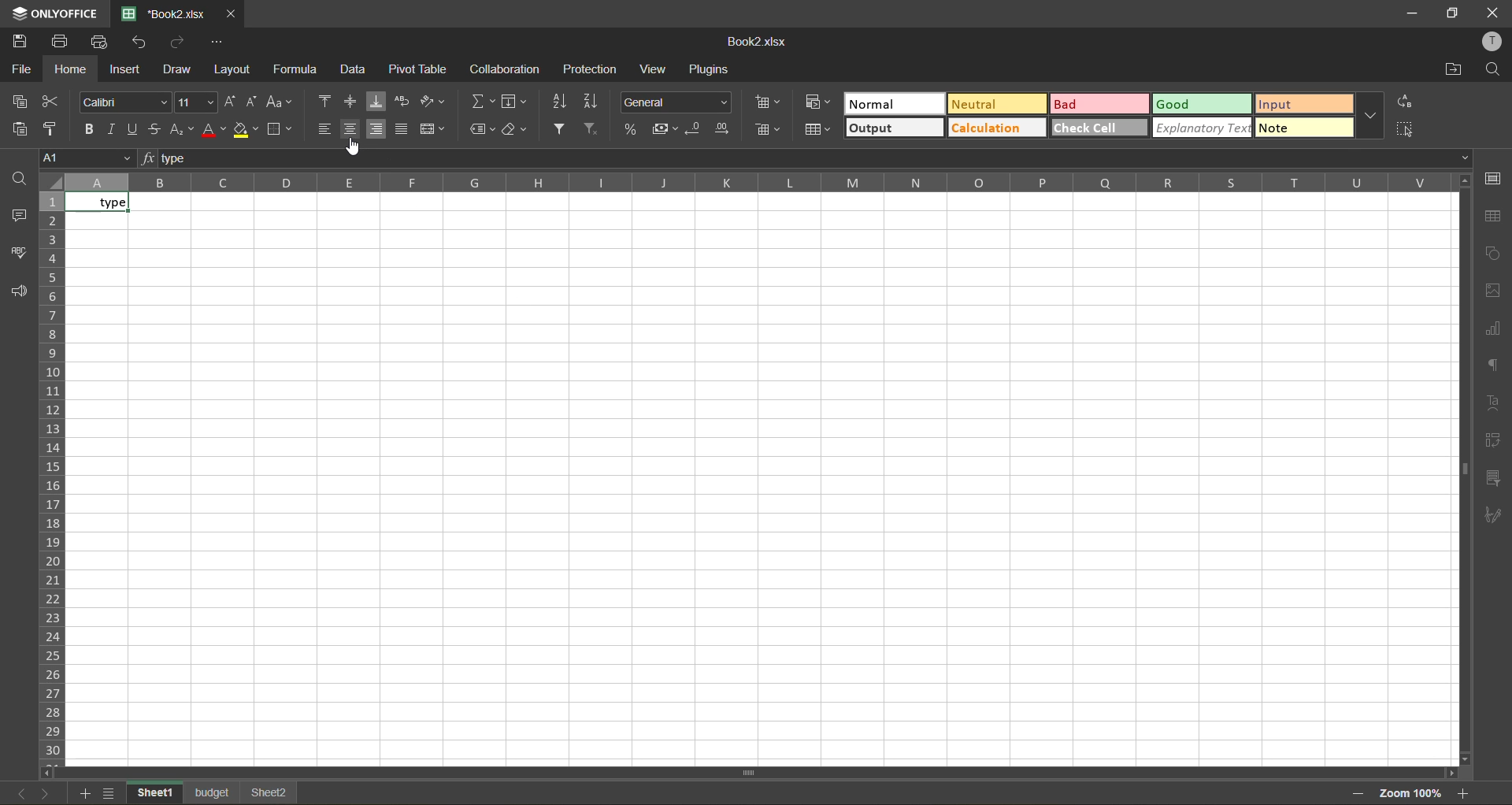  I want to click on strikethrough, so click(159, 129).